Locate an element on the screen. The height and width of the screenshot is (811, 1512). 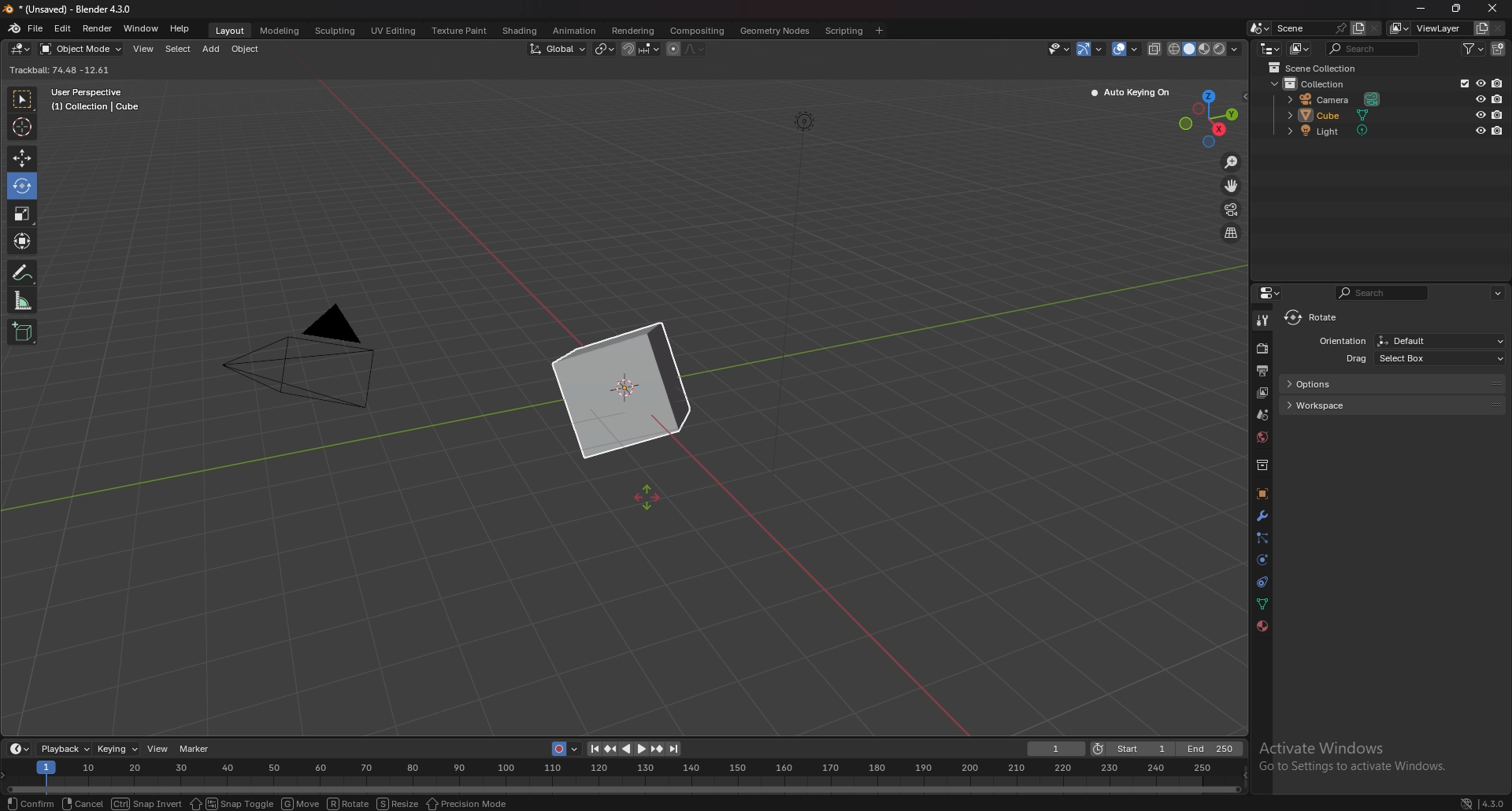
transform is located at coordinates (24, 241).